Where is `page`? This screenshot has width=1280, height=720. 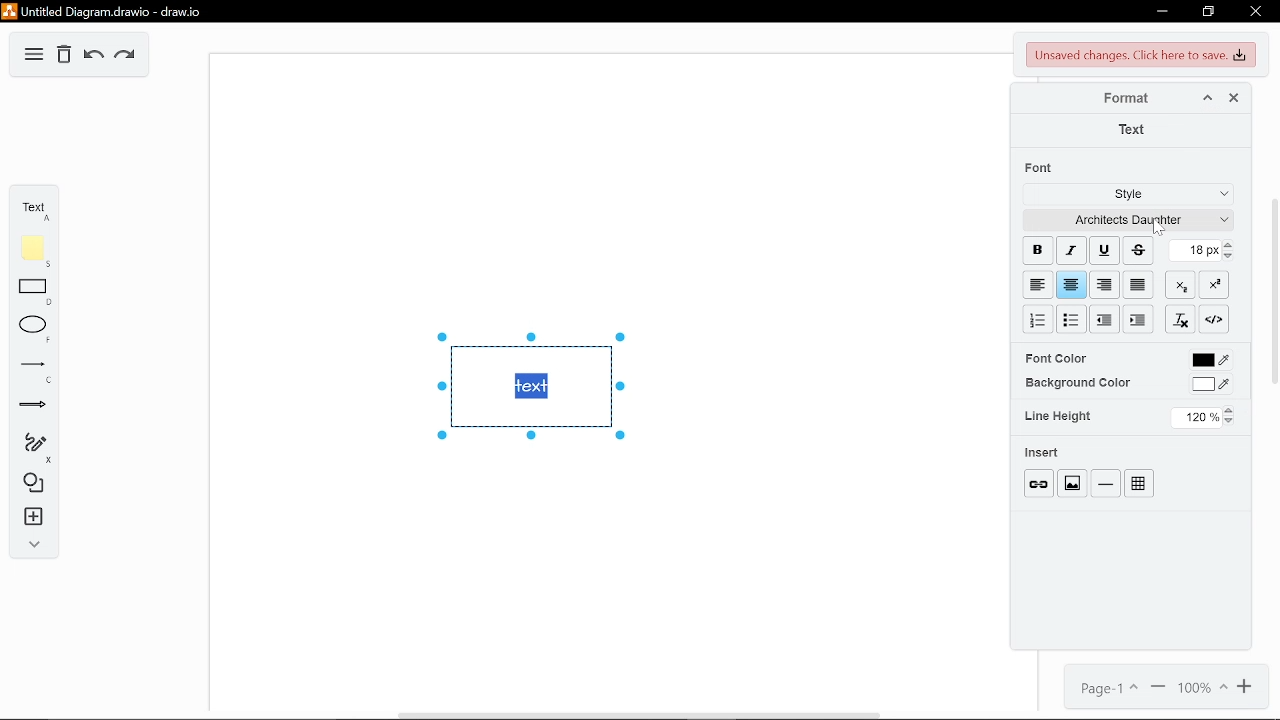
page is located at coordinates (1105, 686).